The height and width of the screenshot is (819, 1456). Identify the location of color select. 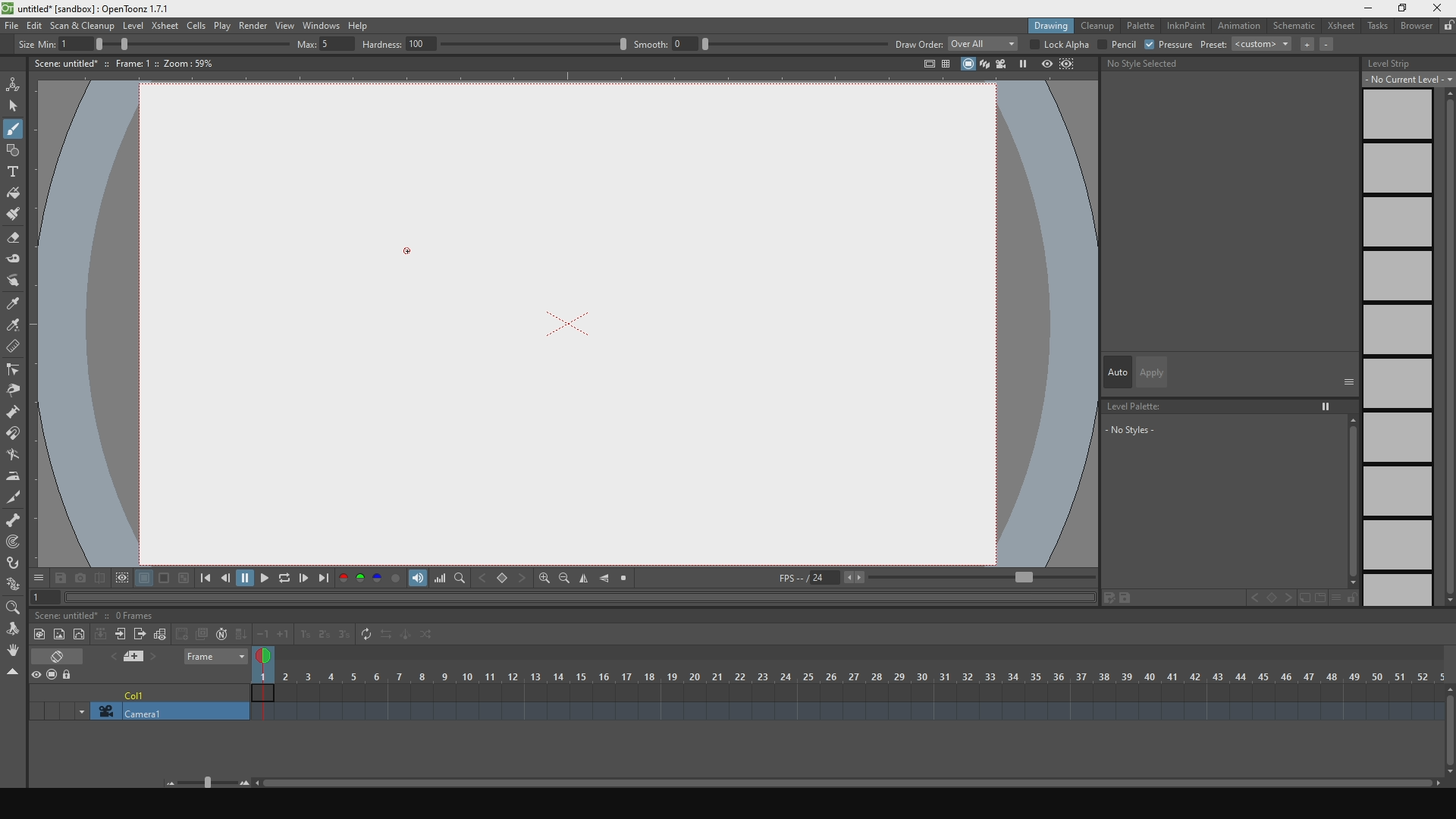
(14, 327).